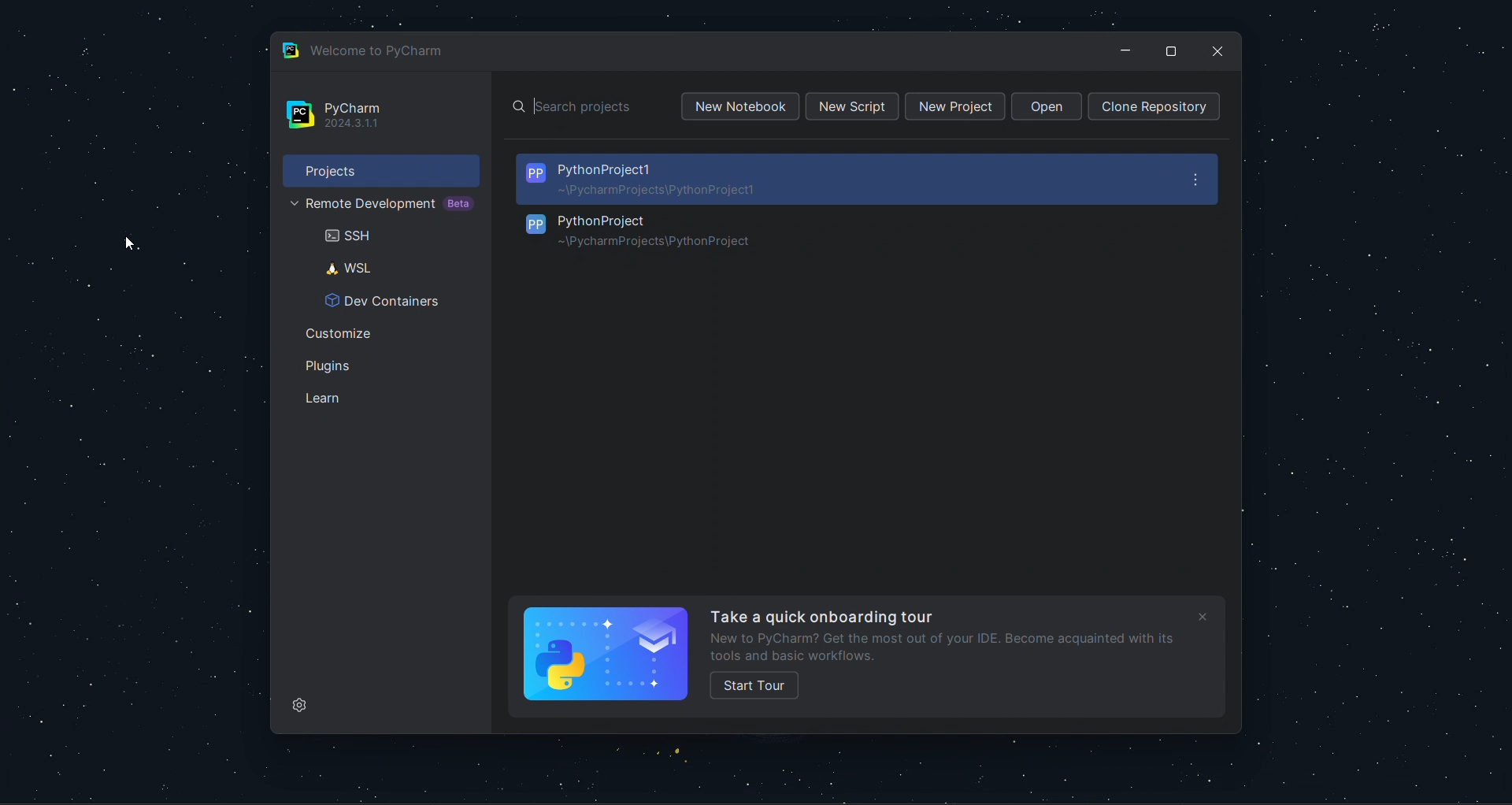  I want to click on settings, so click(301, 706).